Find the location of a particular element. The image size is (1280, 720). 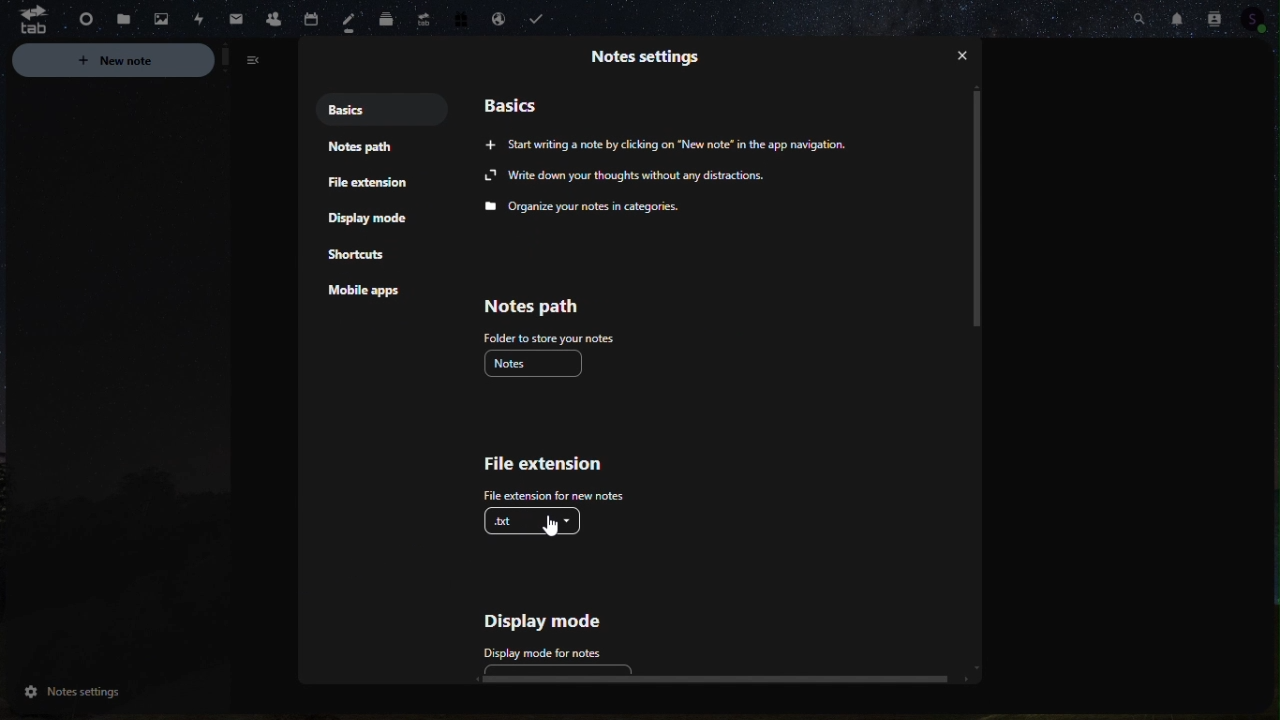

tab is located at coordinates (25, 21).